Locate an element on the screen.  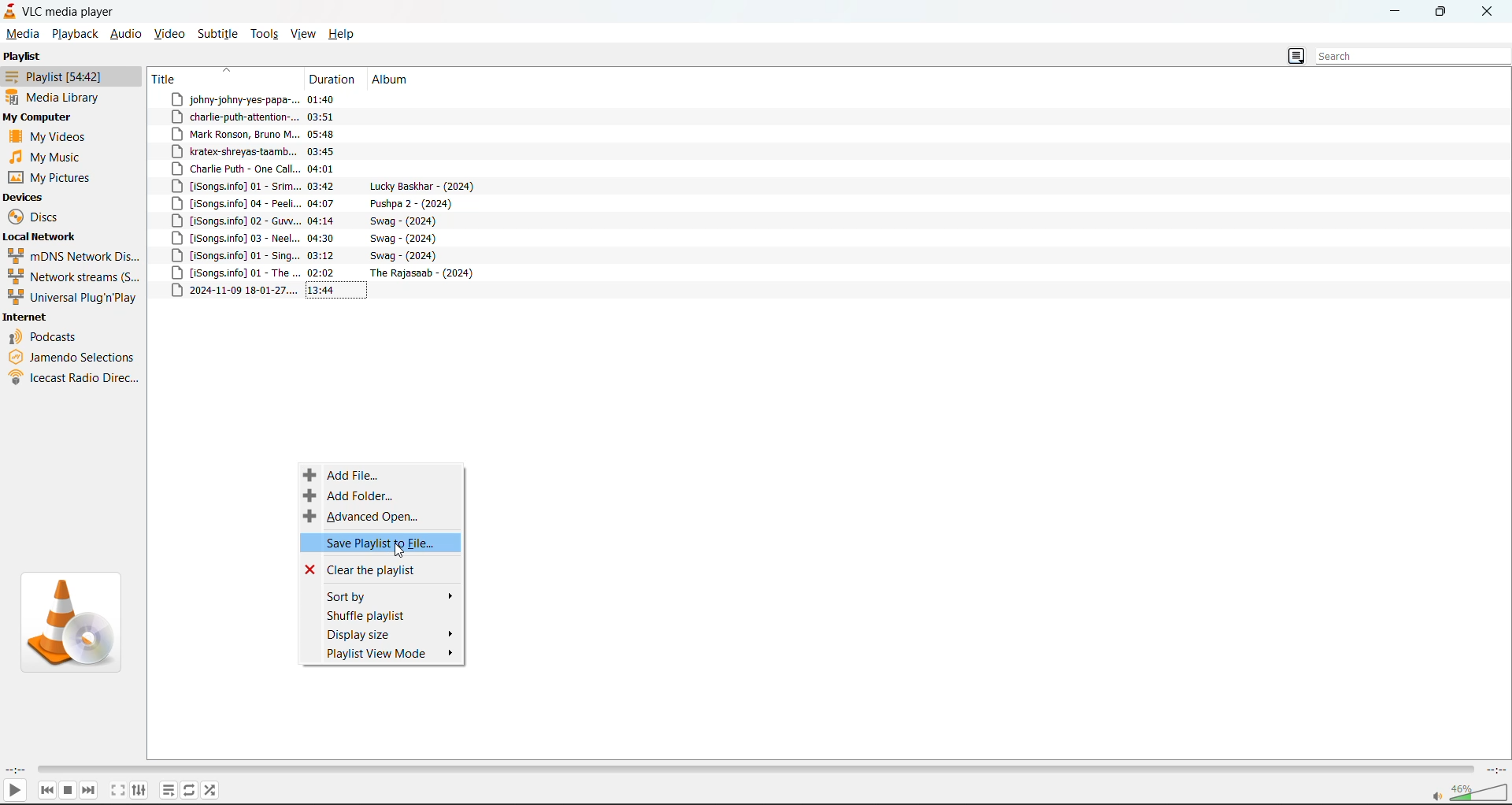
cursor is located at coordinates (399, 551).